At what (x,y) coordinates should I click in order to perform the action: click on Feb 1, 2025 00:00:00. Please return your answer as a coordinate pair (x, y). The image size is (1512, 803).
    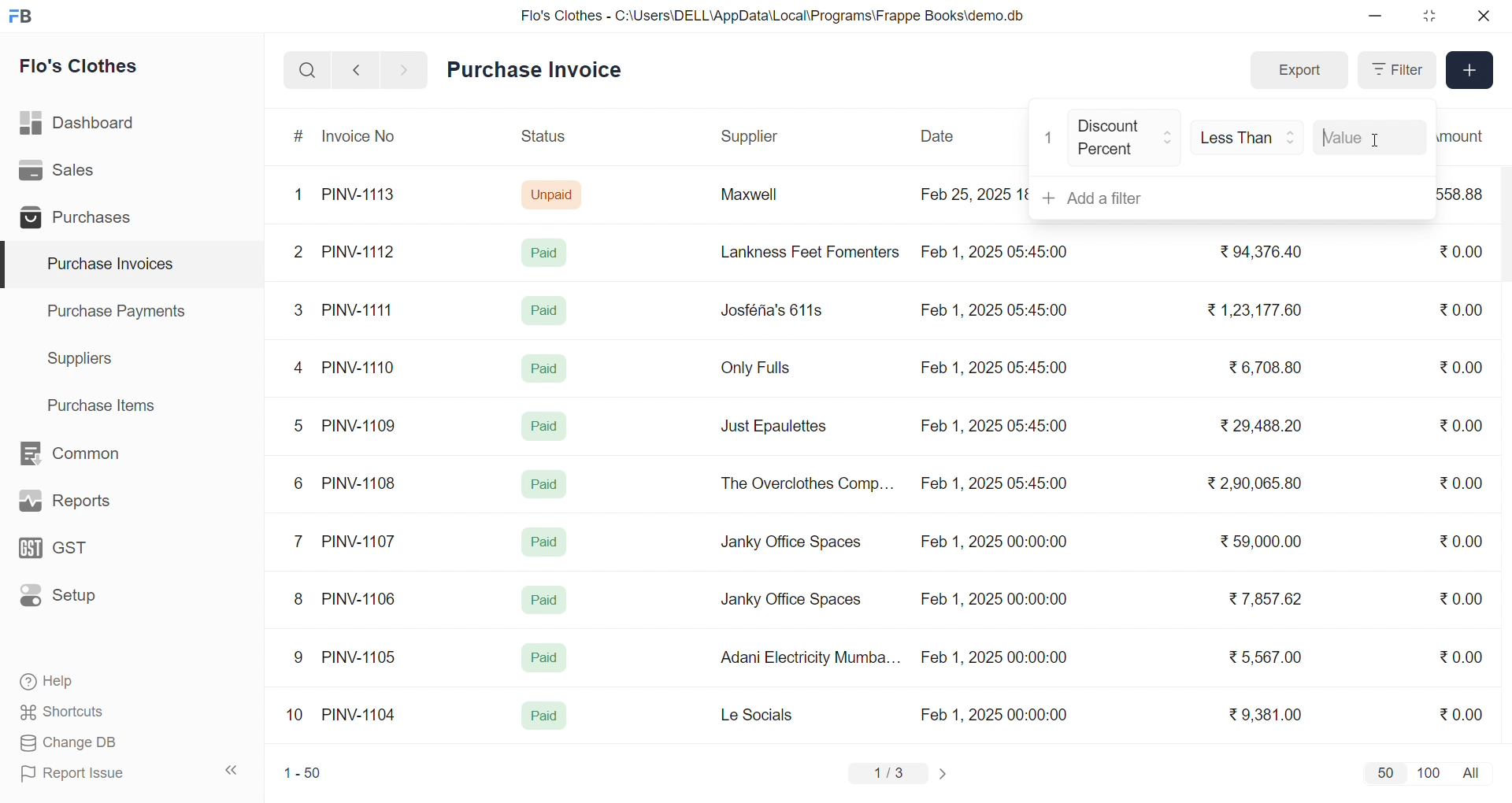
    Looking at the image, I should click on (994, 657).